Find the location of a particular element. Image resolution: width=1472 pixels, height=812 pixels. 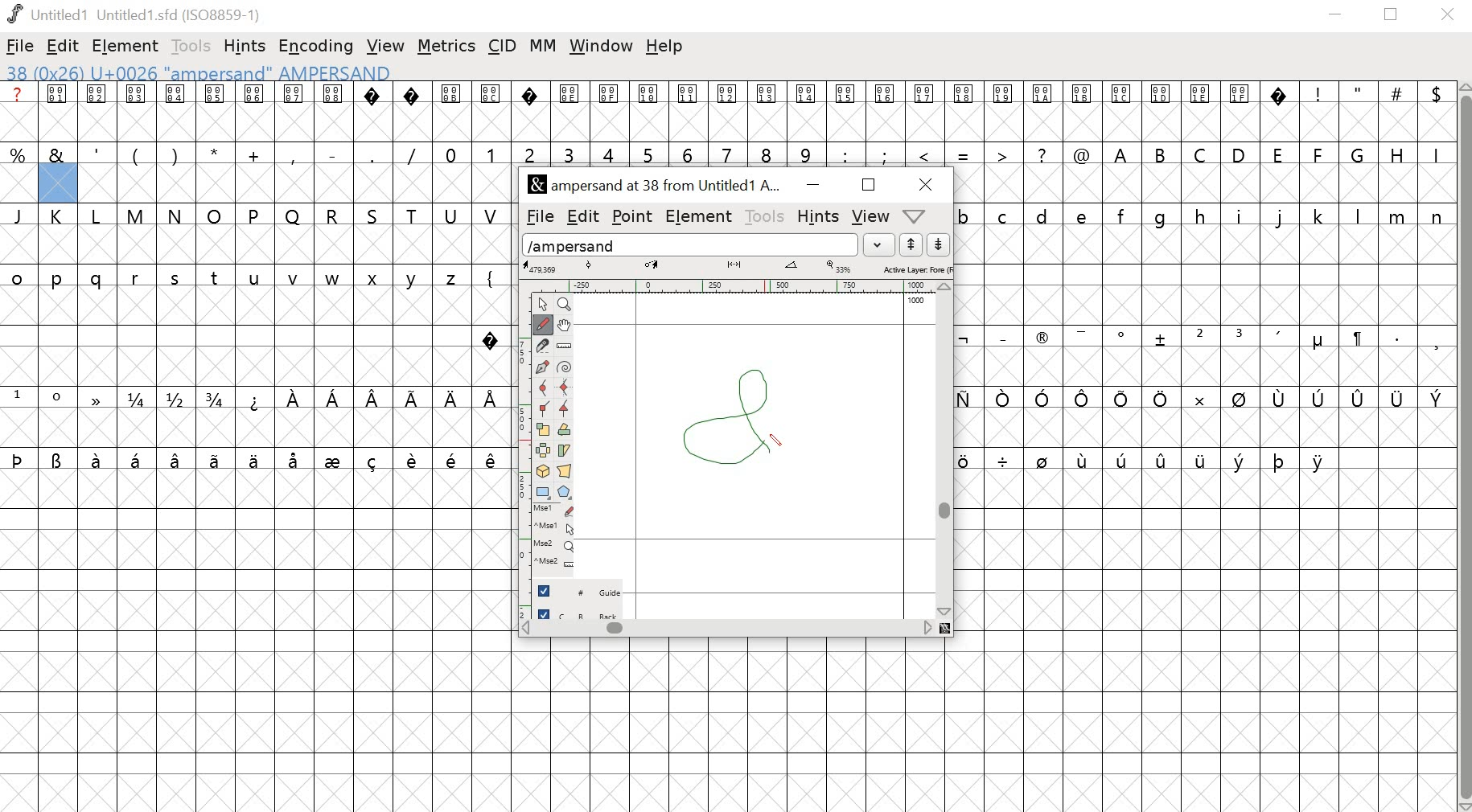

symbol is located at coordinates (177, 459).